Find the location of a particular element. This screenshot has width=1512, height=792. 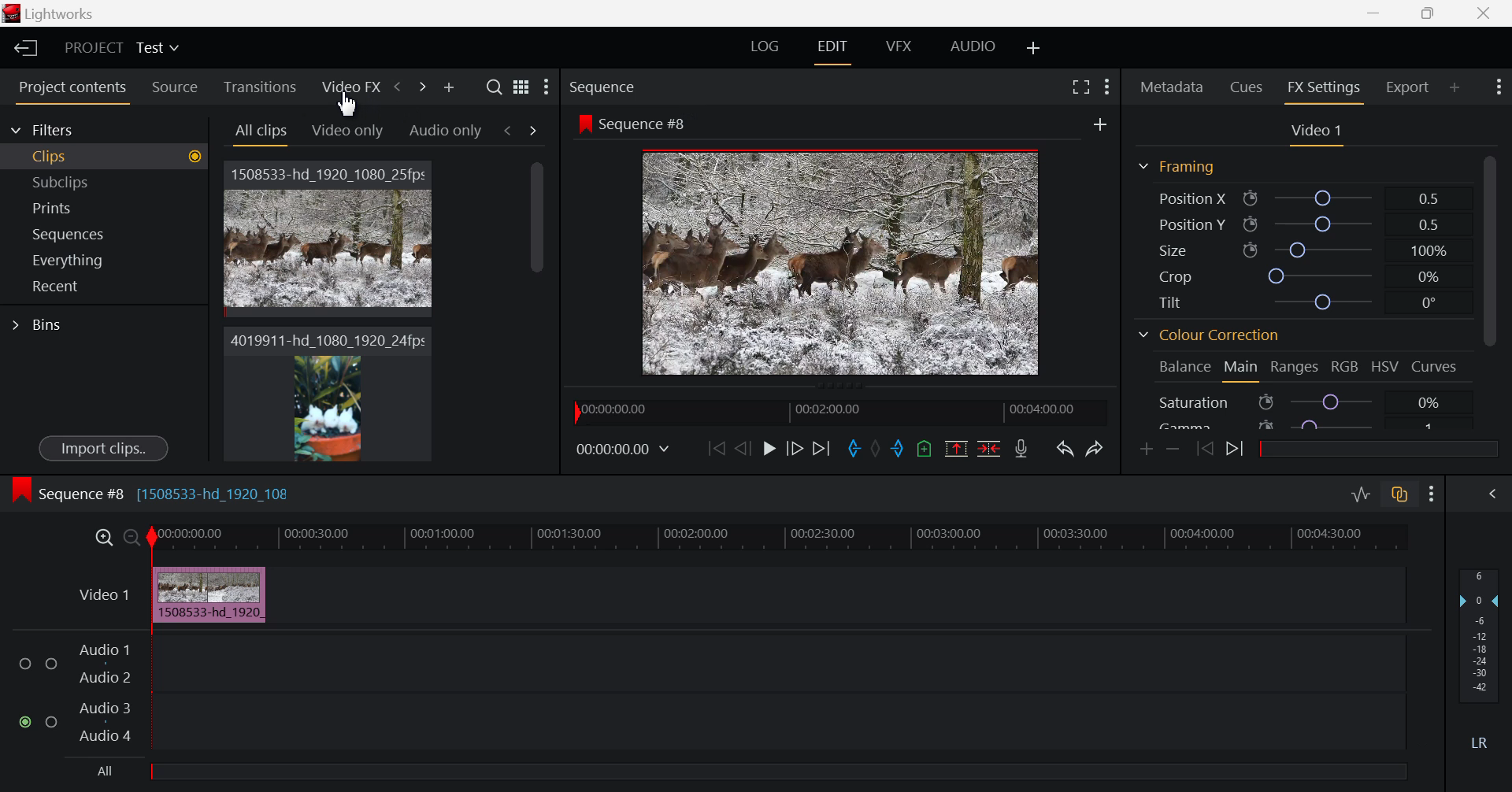

Timeline Zoom Out is located at coordinates (129, 535).